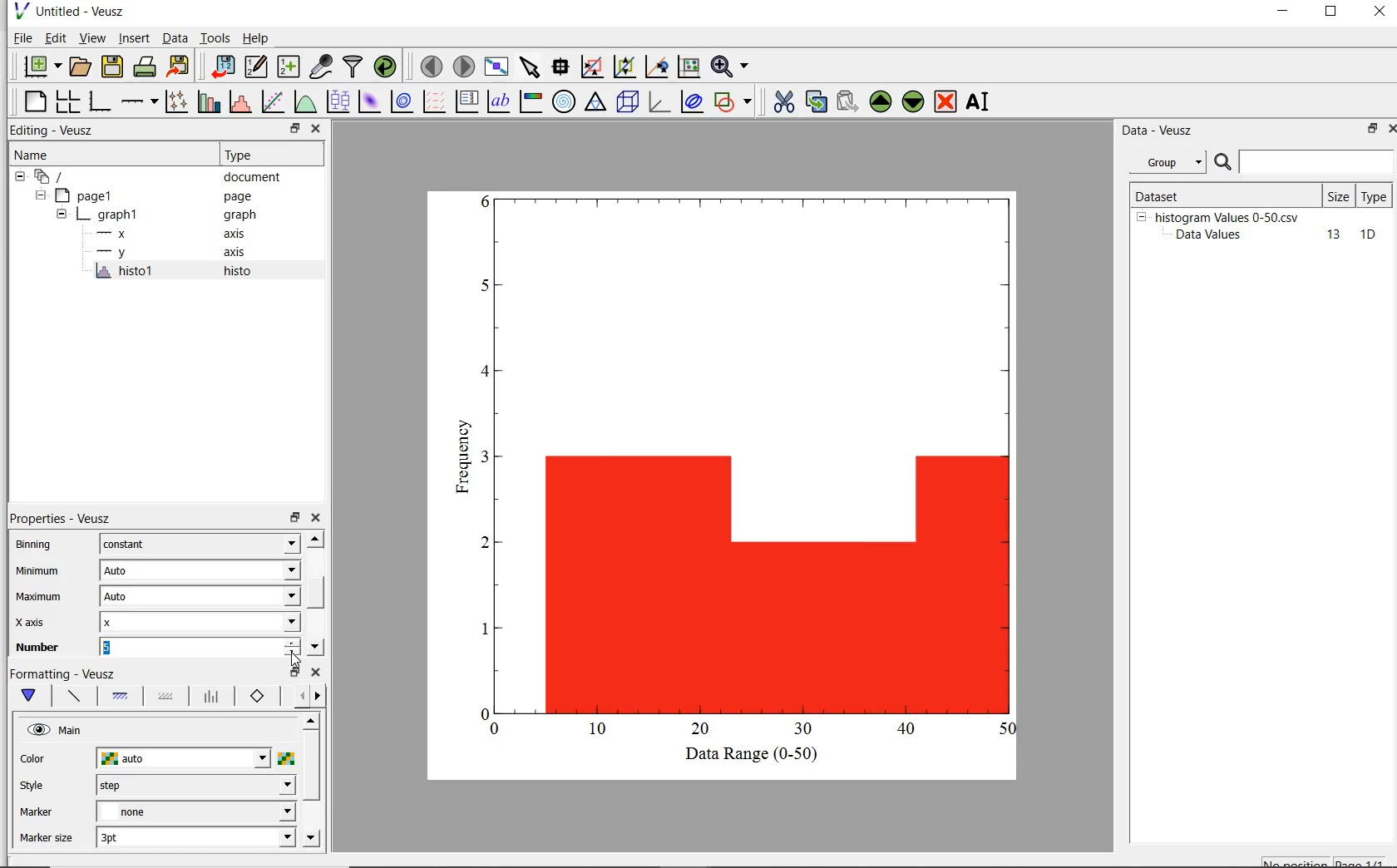  What do you see at coordinates (1224, 163) in the screenshot?
I see `search` at bounding box center [1224, 163].